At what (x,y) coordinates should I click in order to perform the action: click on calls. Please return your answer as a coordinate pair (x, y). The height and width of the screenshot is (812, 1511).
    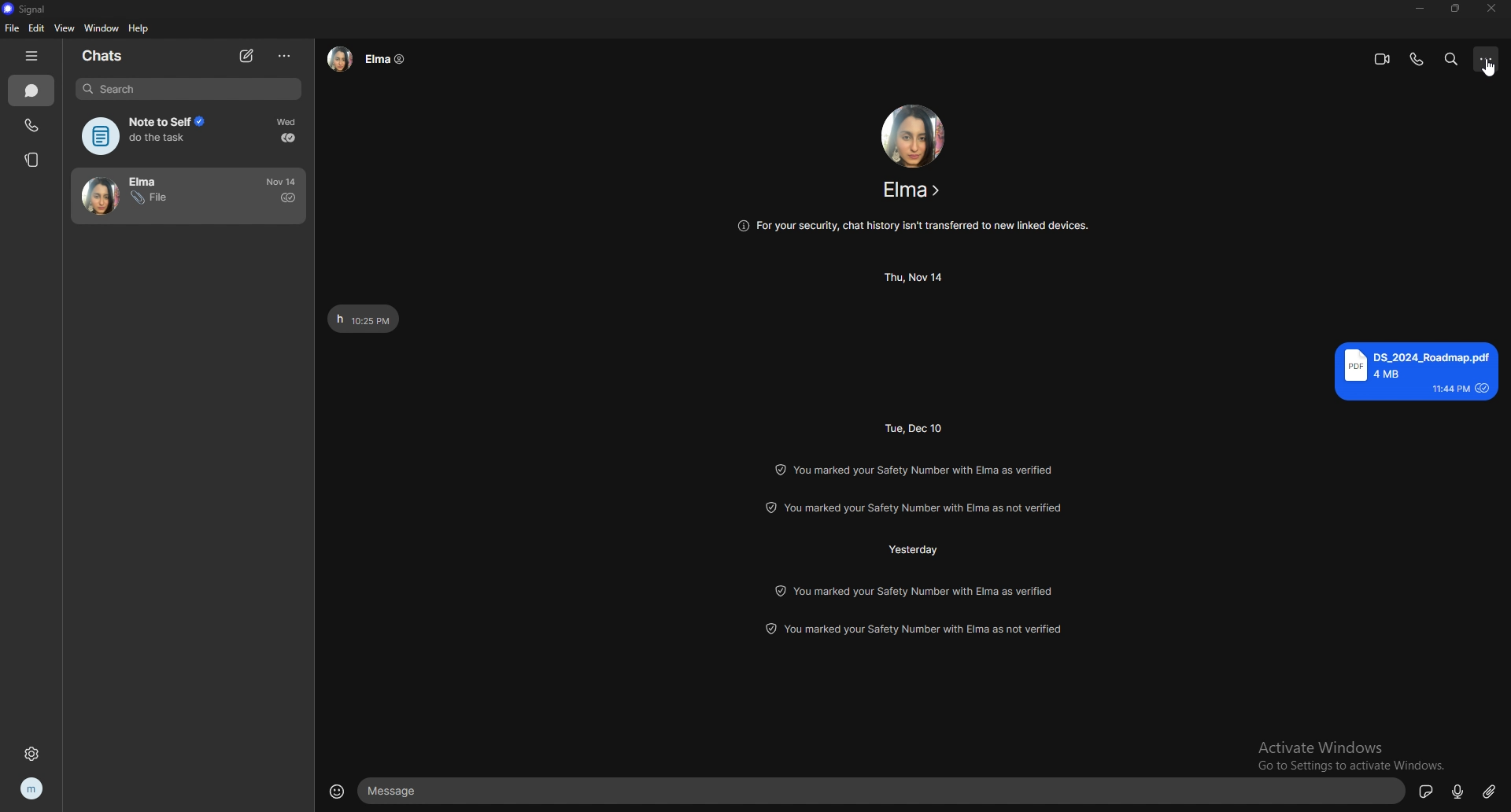
    Looking at the image, I should click on (32, 126).